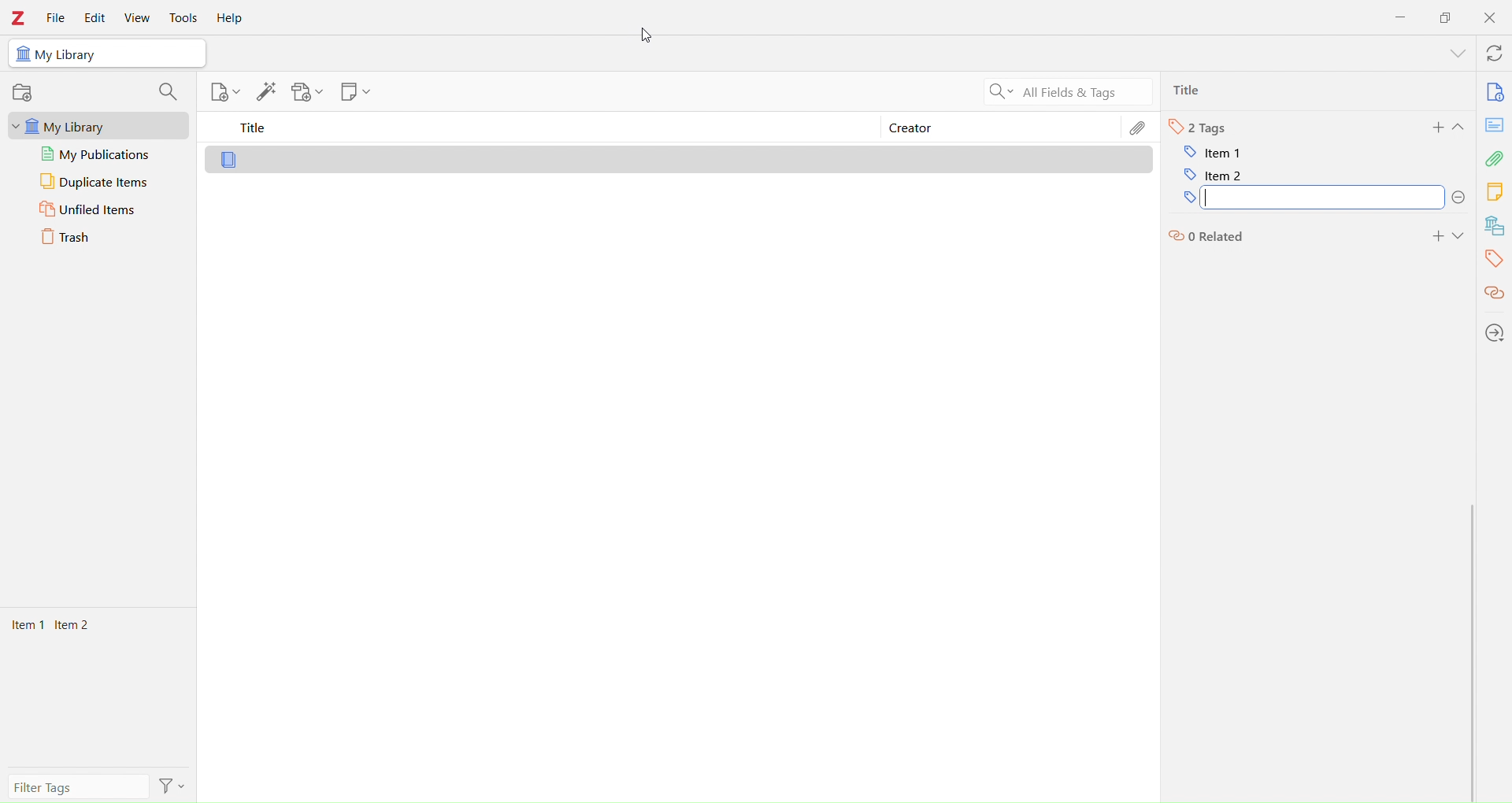  I want to click on , so click(184, 18).